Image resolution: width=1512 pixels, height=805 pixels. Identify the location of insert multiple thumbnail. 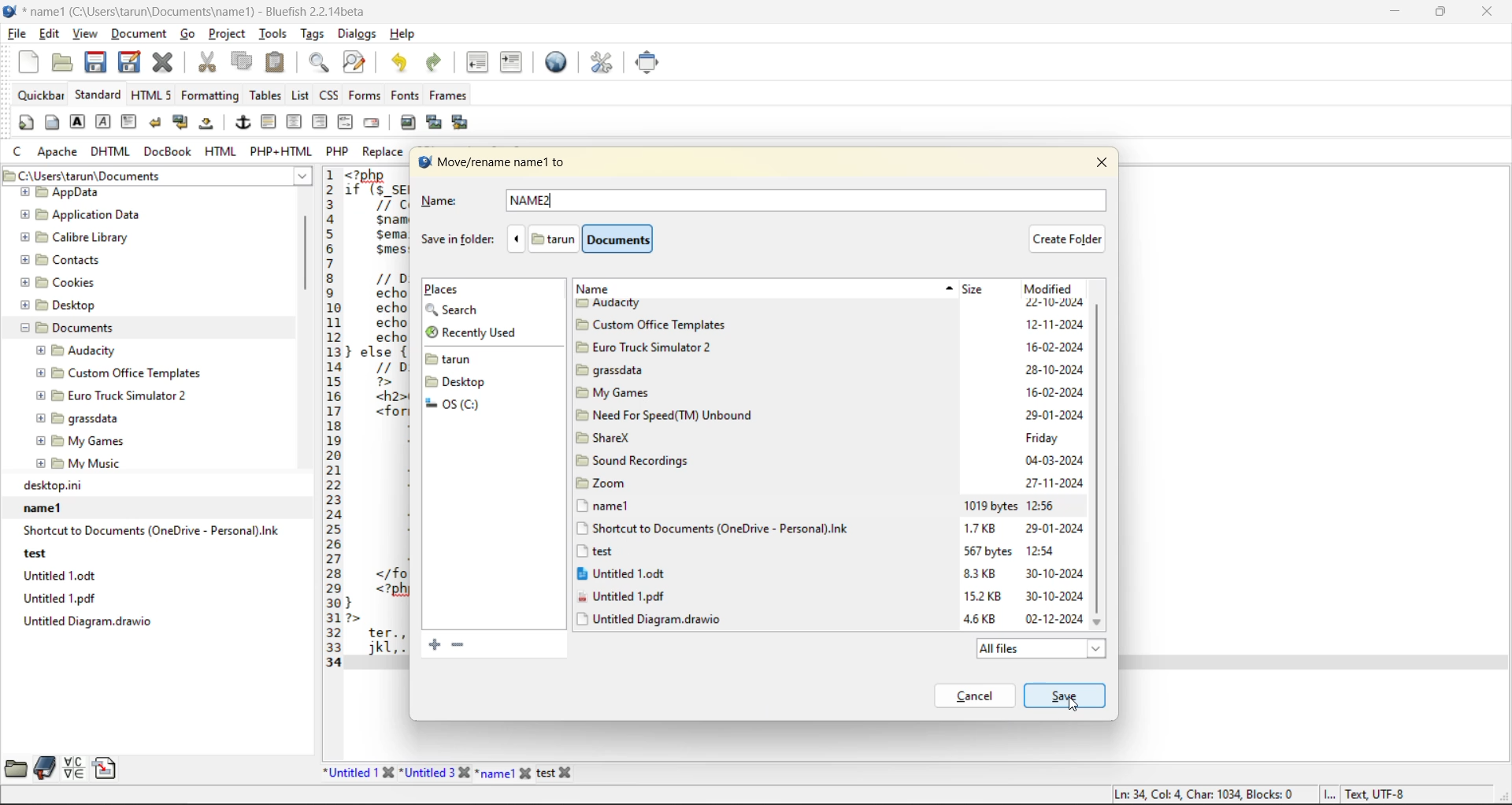
(458, 123).